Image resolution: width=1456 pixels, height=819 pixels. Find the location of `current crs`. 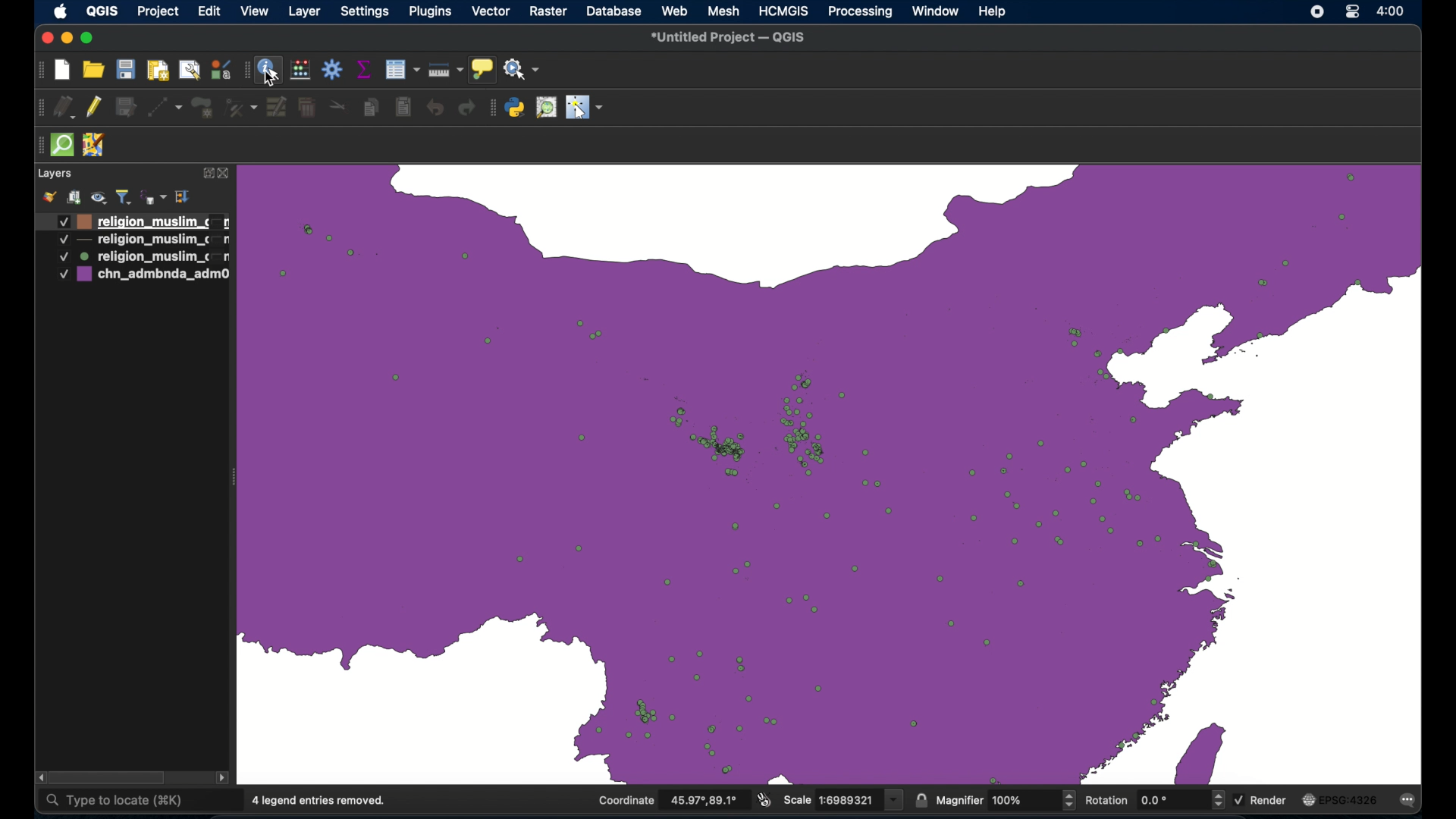

current crs is located at coordinates (1340, 799).